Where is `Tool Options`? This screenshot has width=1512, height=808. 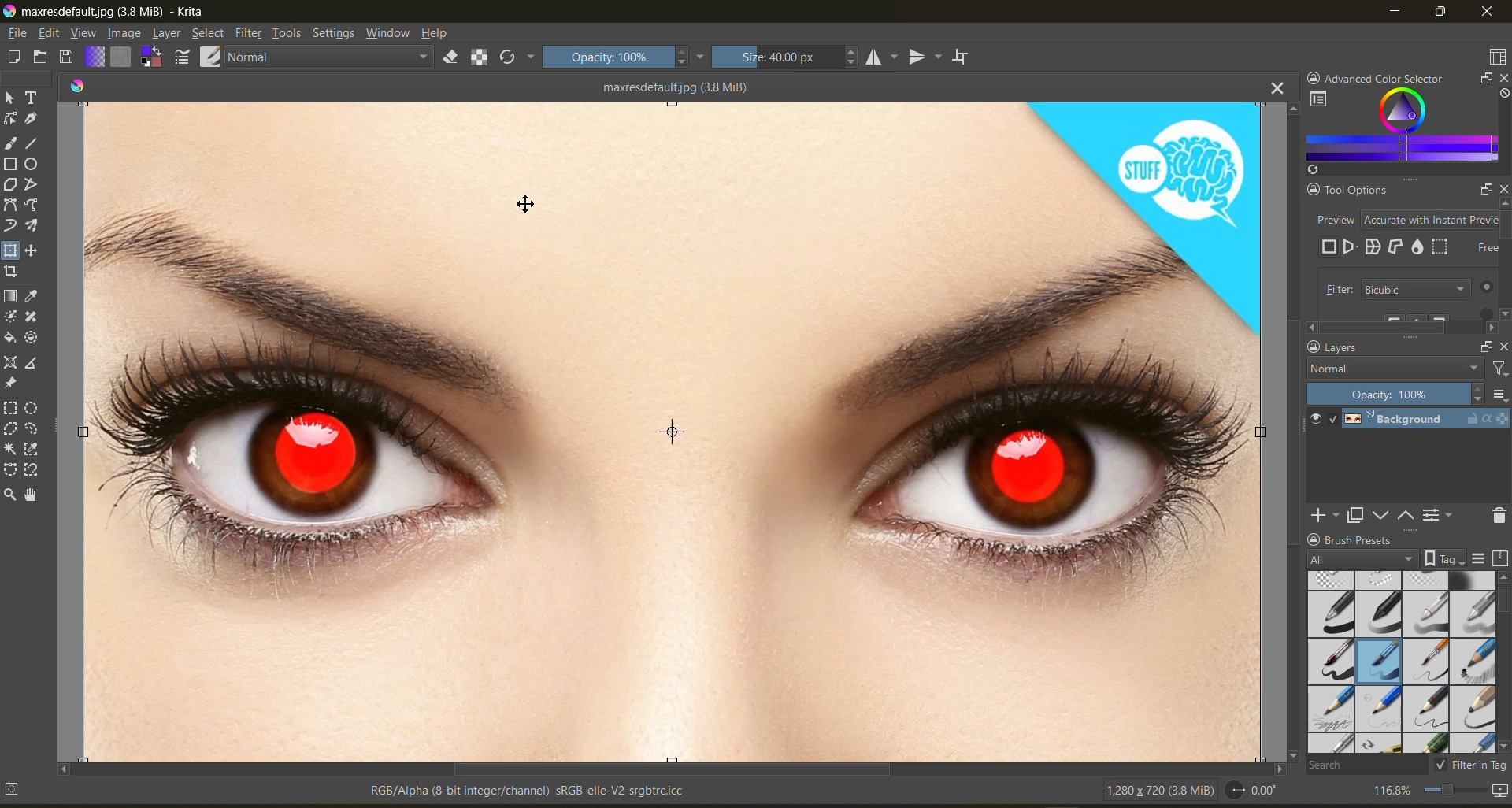 Tool Options is located at coordinates (1348, 189).